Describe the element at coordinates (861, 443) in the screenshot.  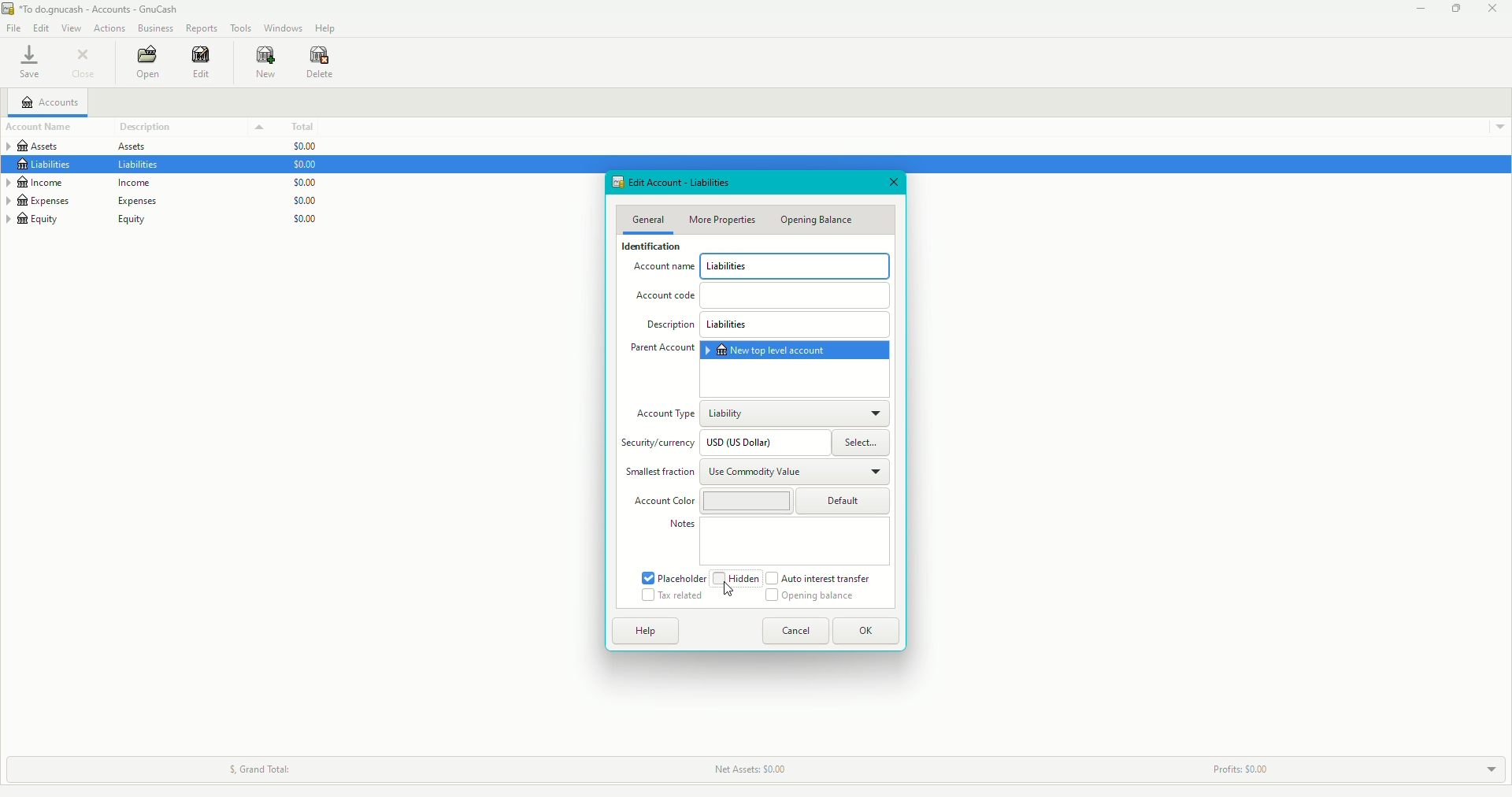
I see `Select` at that location.